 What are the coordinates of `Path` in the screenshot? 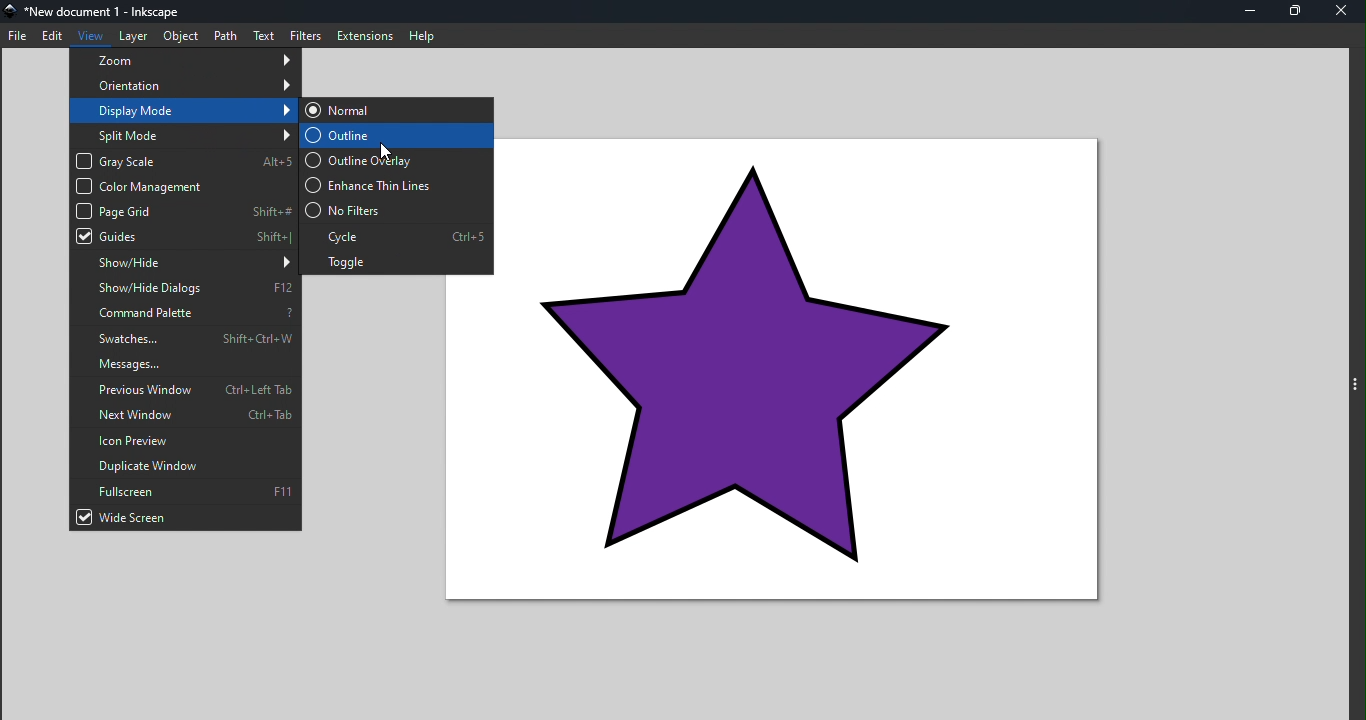 It's located at (224, 33).